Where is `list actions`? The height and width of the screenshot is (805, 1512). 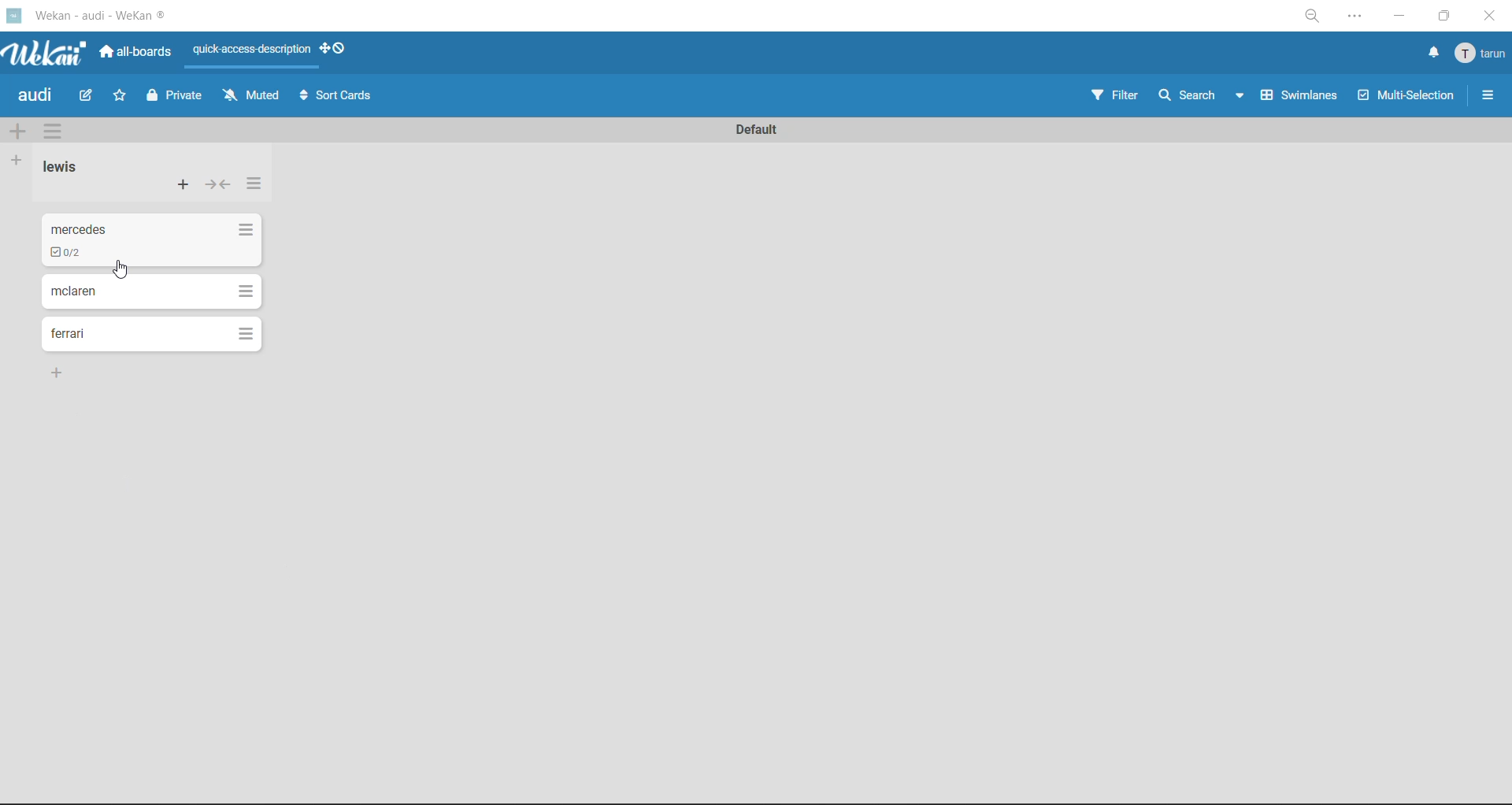 list actions is located at coordinates (256, 188).